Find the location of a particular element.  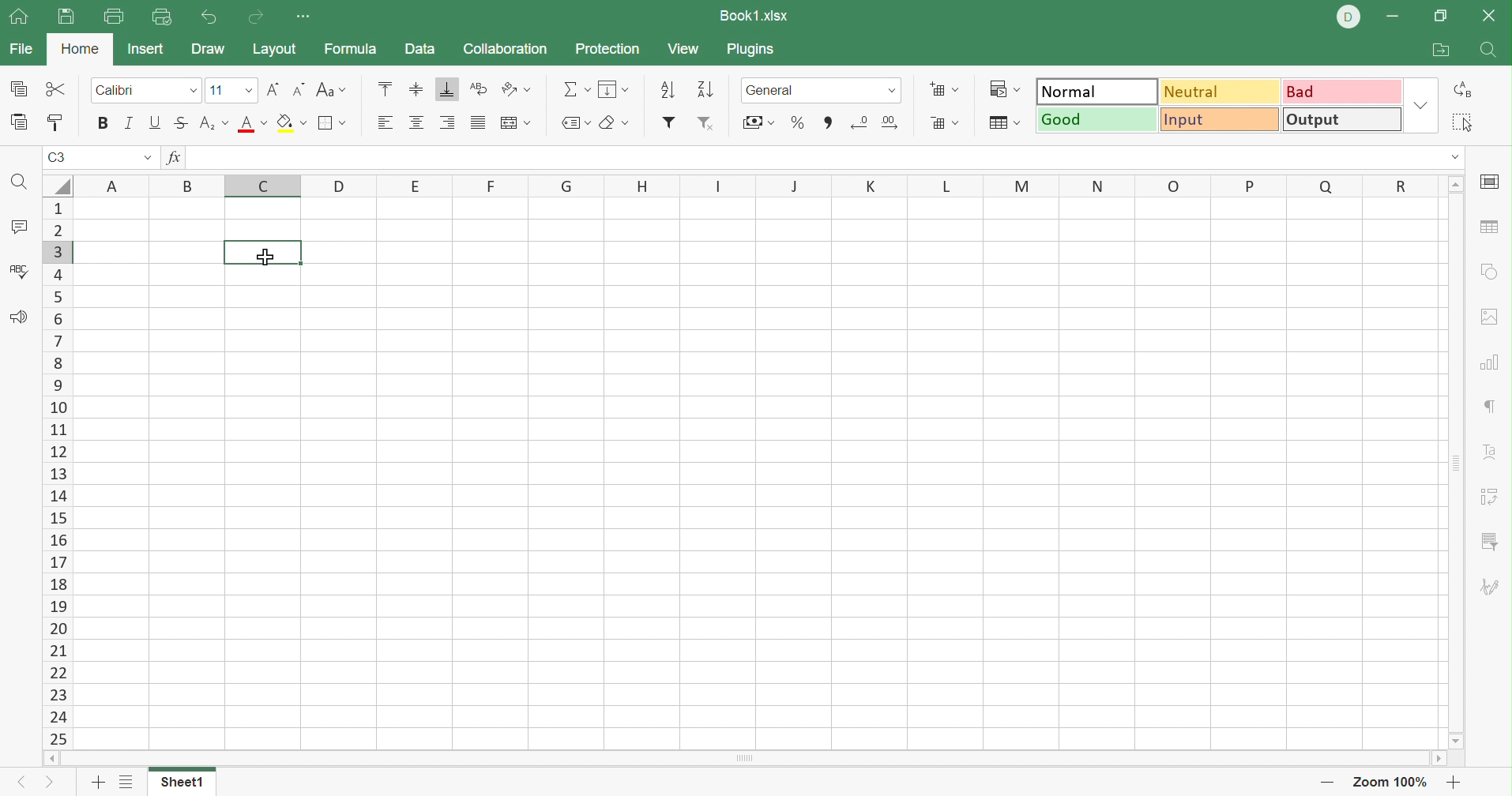

Scroll bar is located at coordinates (1453, 464).